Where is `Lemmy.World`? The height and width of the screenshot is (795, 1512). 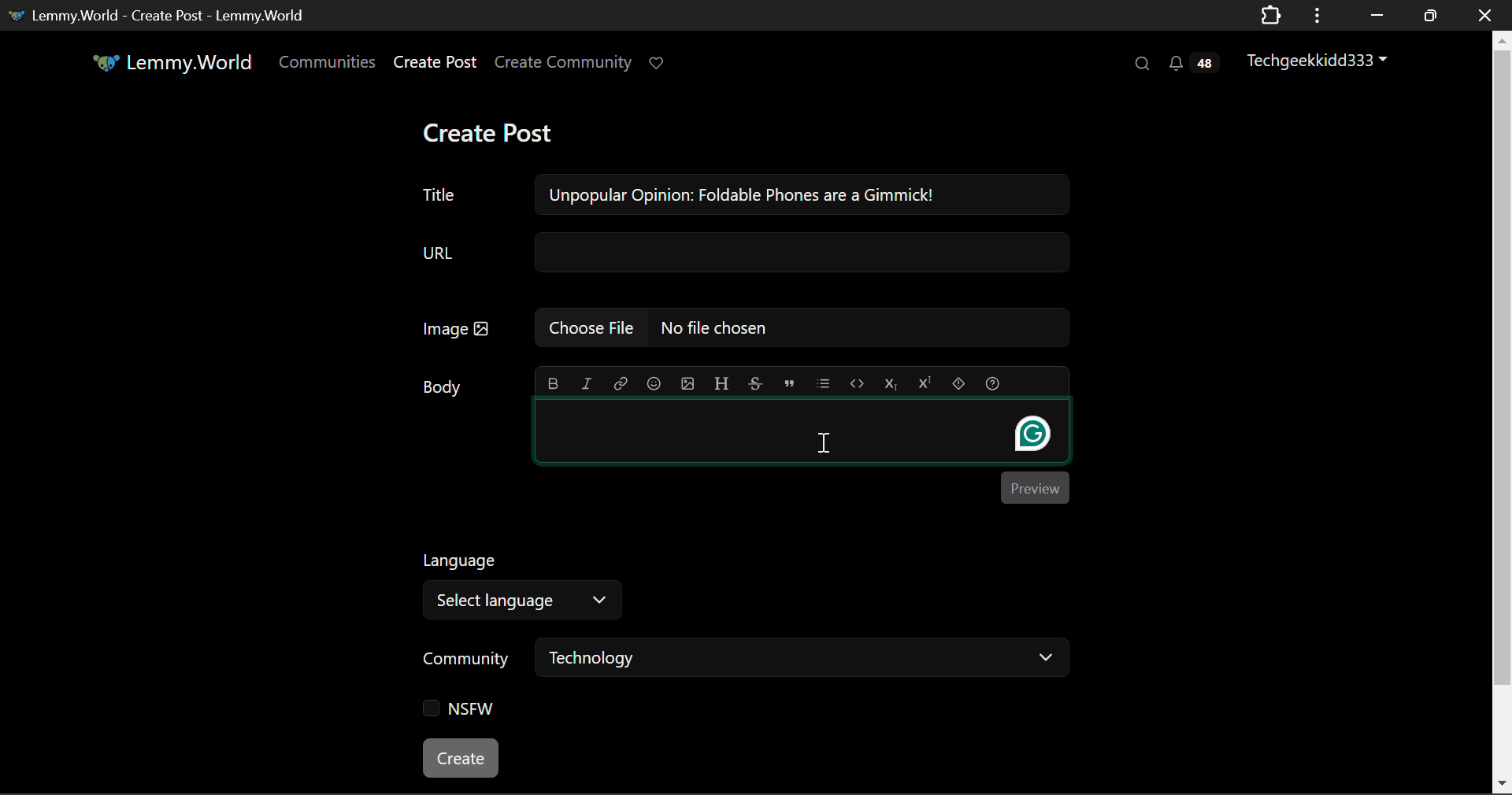
Lemmy.World is located at coordinates (175, 65).